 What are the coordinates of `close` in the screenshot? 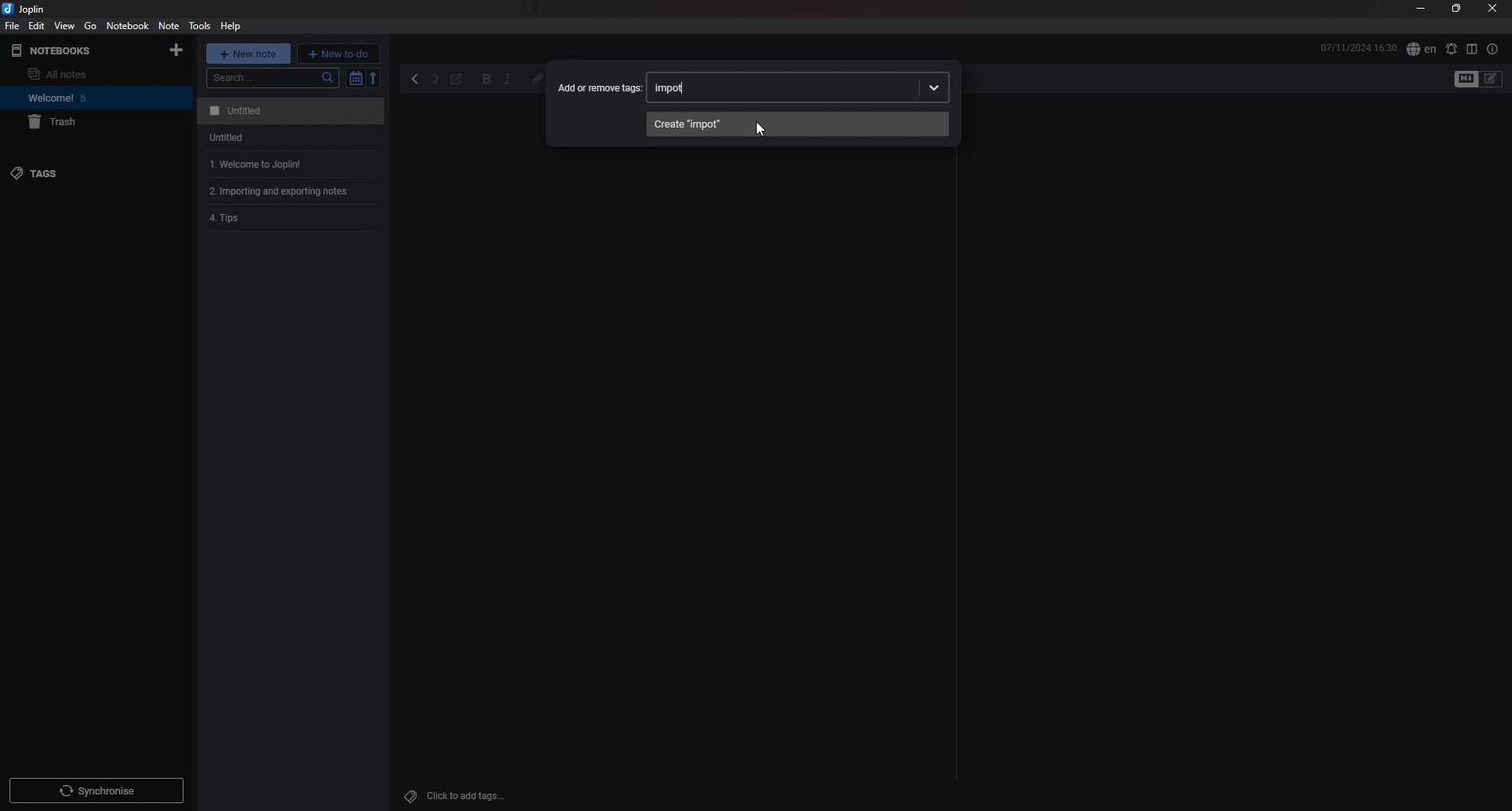 It's located at (1492, 9).